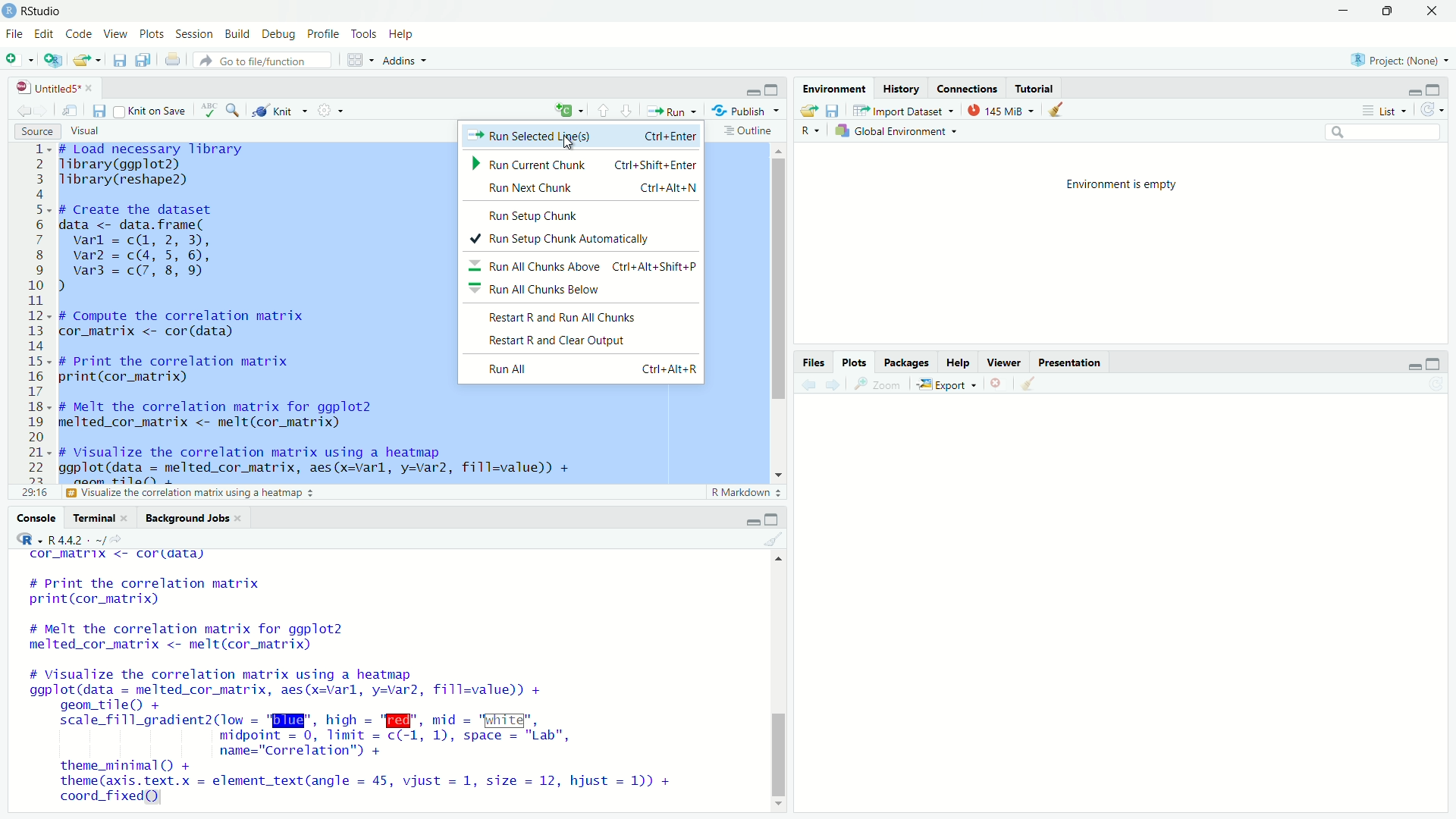 Image resolution: width=1456 pixels, height=819 pixels. I want to click on environment, so click(836, 88).